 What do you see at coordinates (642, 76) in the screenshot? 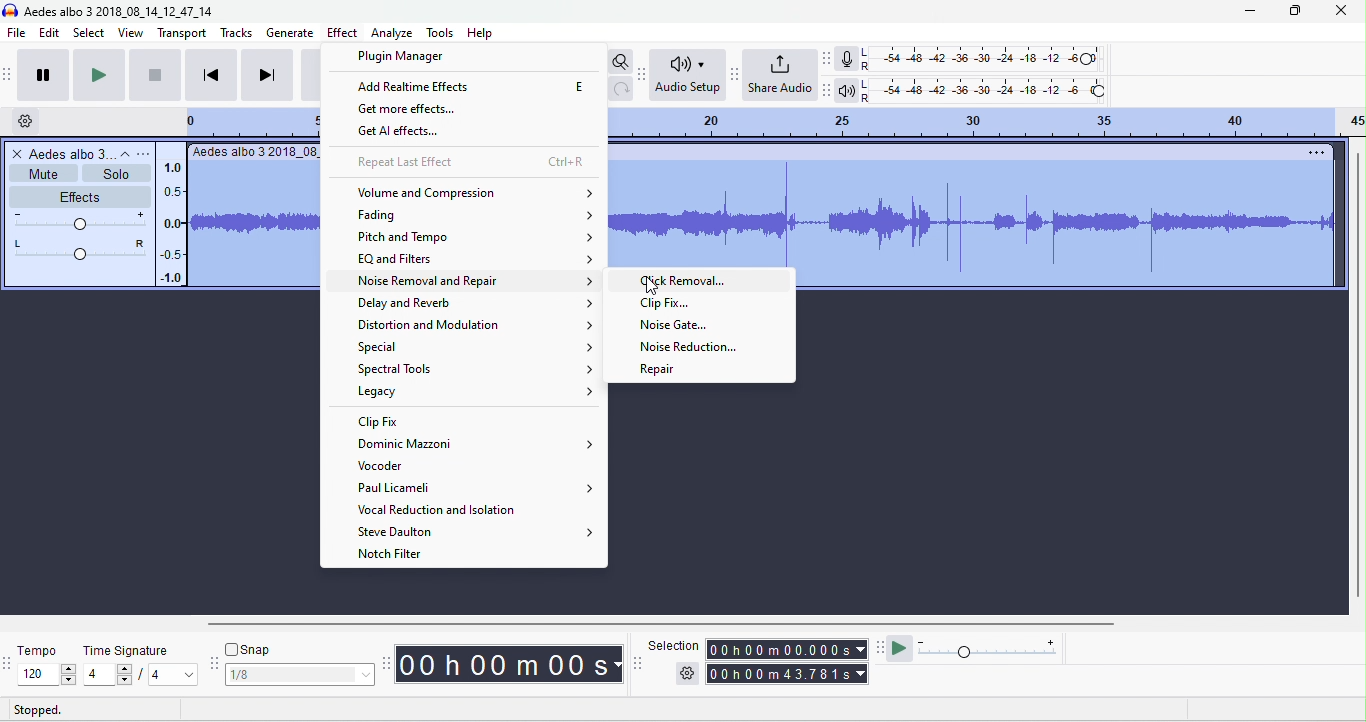
I see `audacity audio setup toolbar` at bounding box center [642, 76].